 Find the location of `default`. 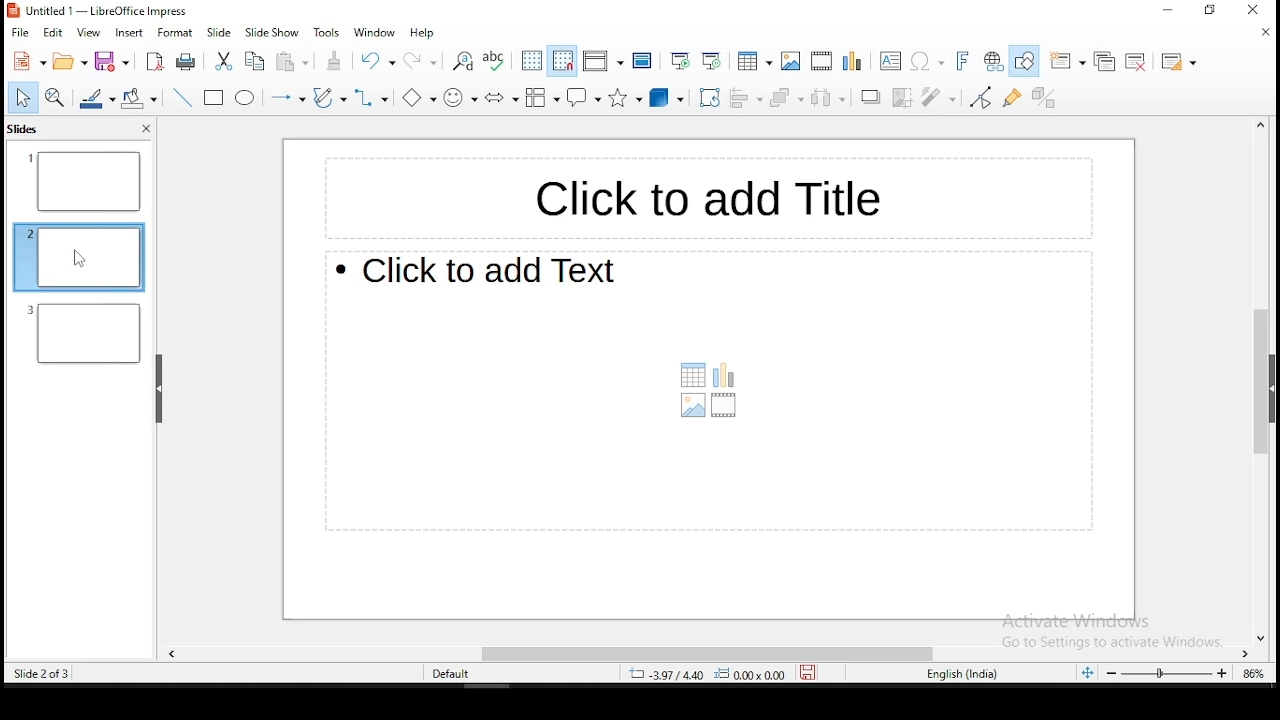

default is located at coordinates (453, 675).